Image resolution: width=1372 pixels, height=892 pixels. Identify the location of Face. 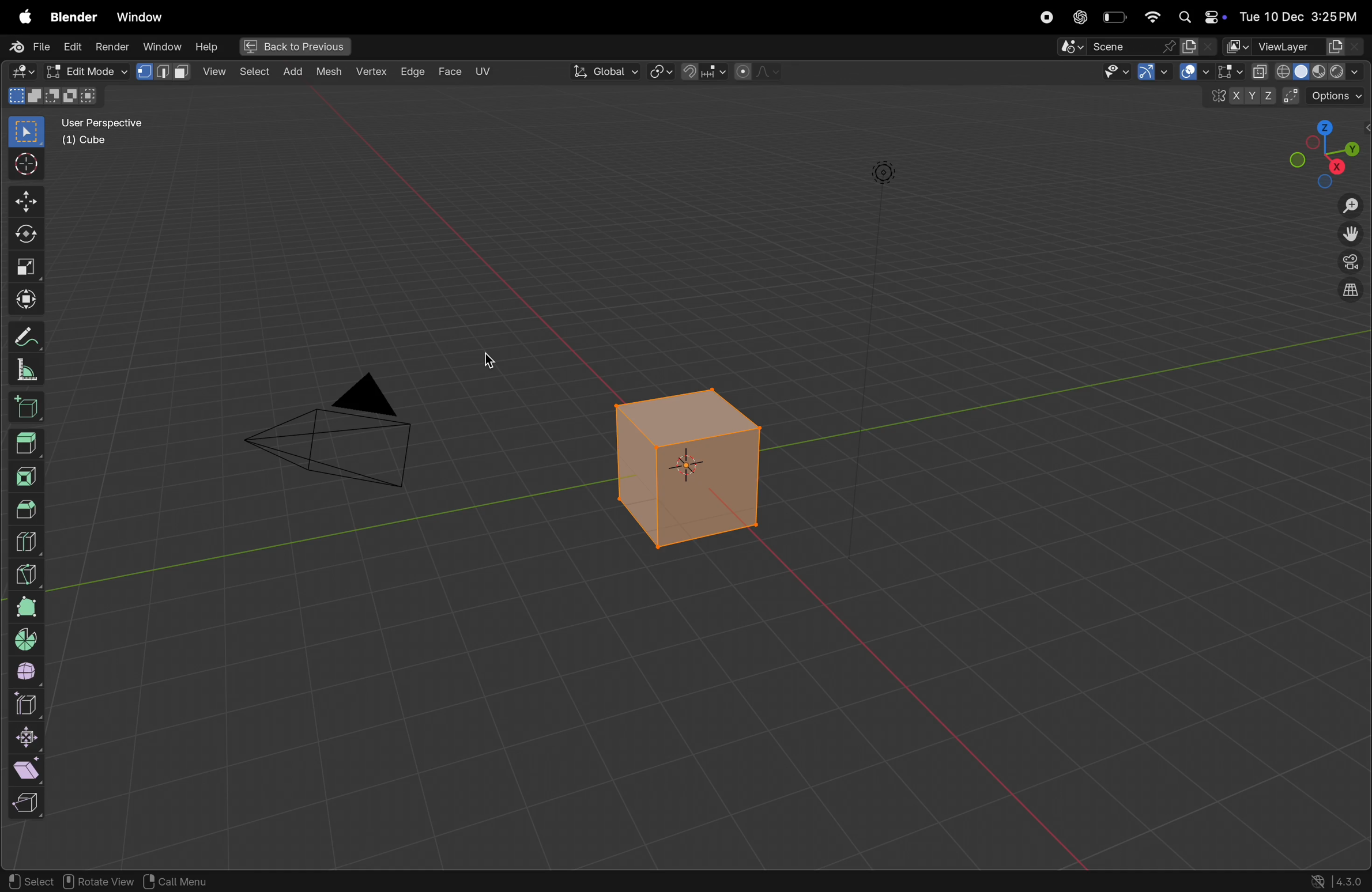
(451, 71).